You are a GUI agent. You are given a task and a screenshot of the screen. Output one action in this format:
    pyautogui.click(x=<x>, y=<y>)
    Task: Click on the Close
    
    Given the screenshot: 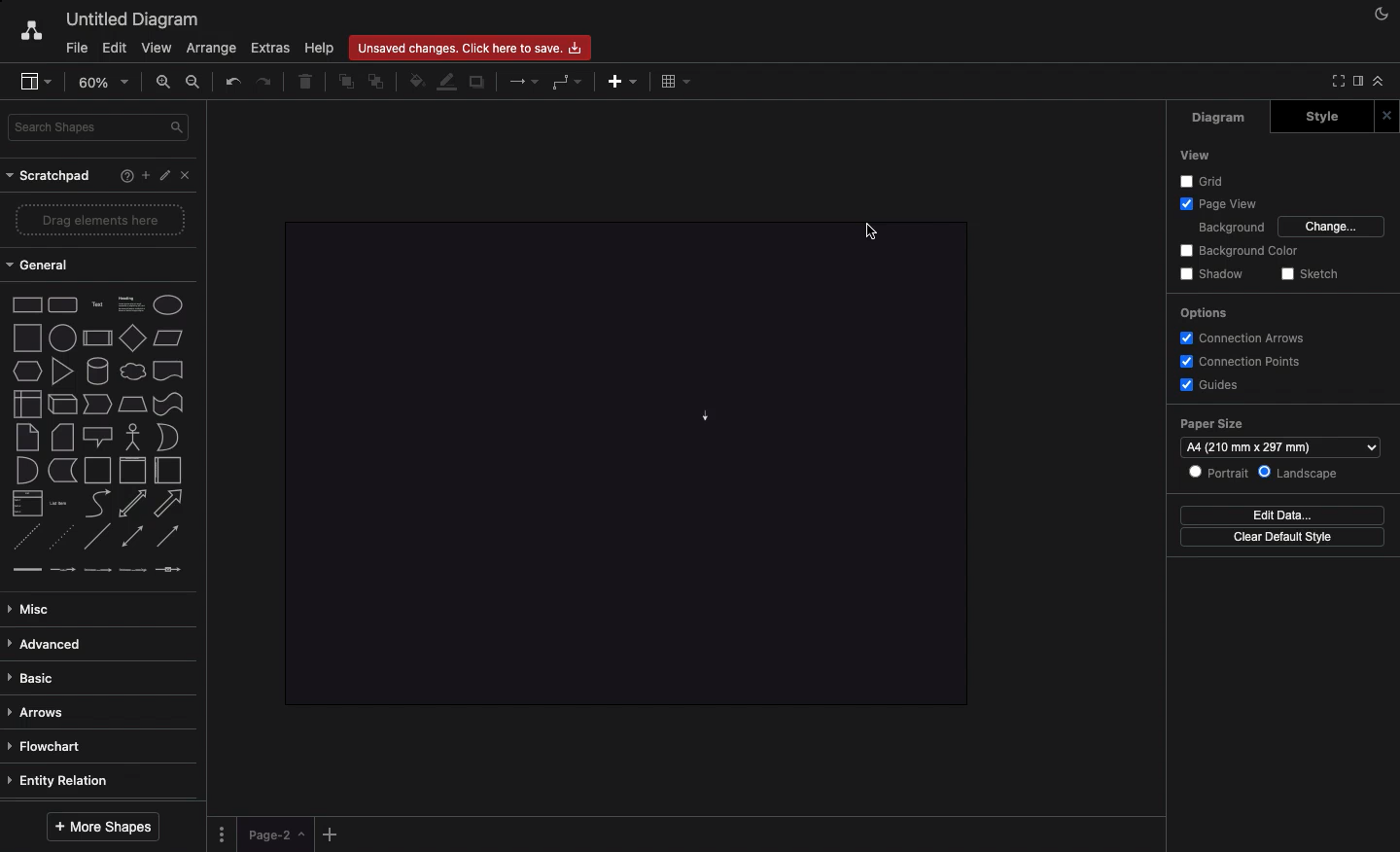 What is the action you would take?
    pyautogui.click(x=1386, y=116)
    